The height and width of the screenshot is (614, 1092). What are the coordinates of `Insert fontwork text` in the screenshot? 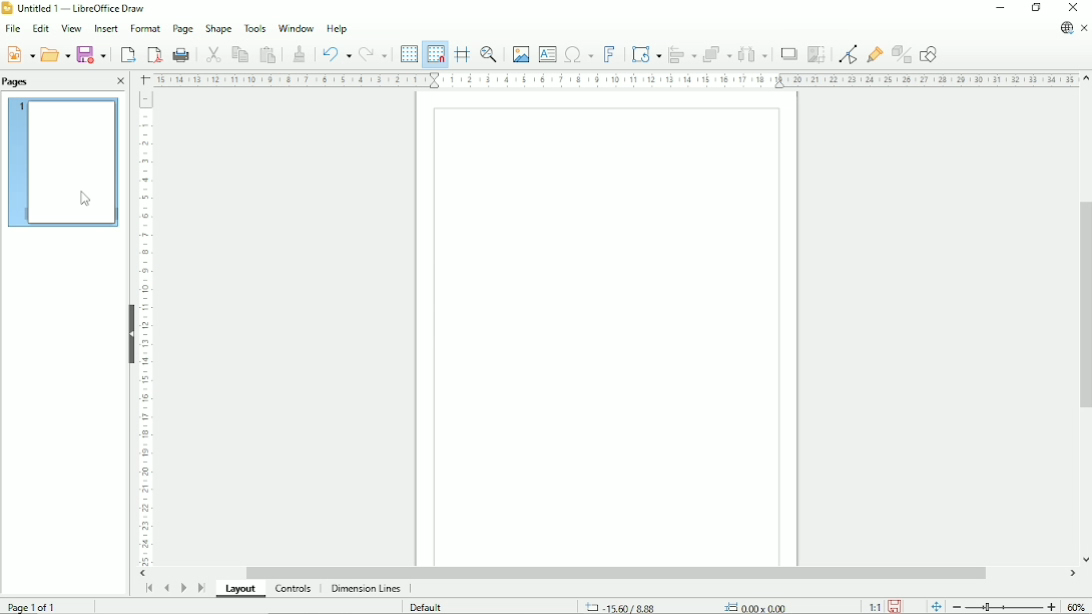 It's located at (610, 53).